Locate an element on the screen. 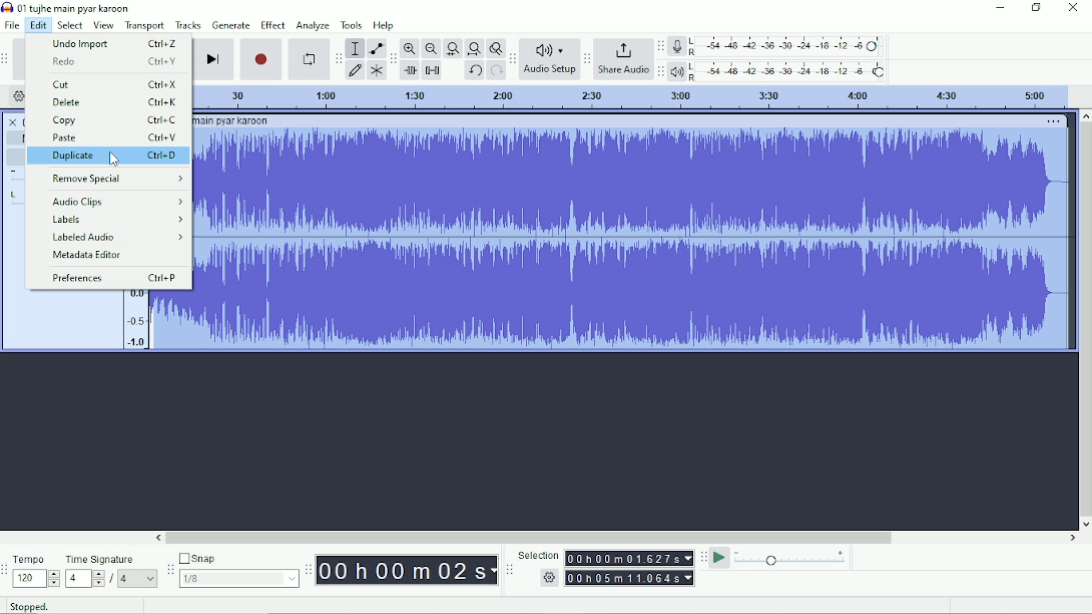 The image size is (1092, 614). Audacity share audio toolbar is located at coordinates (587, 58).